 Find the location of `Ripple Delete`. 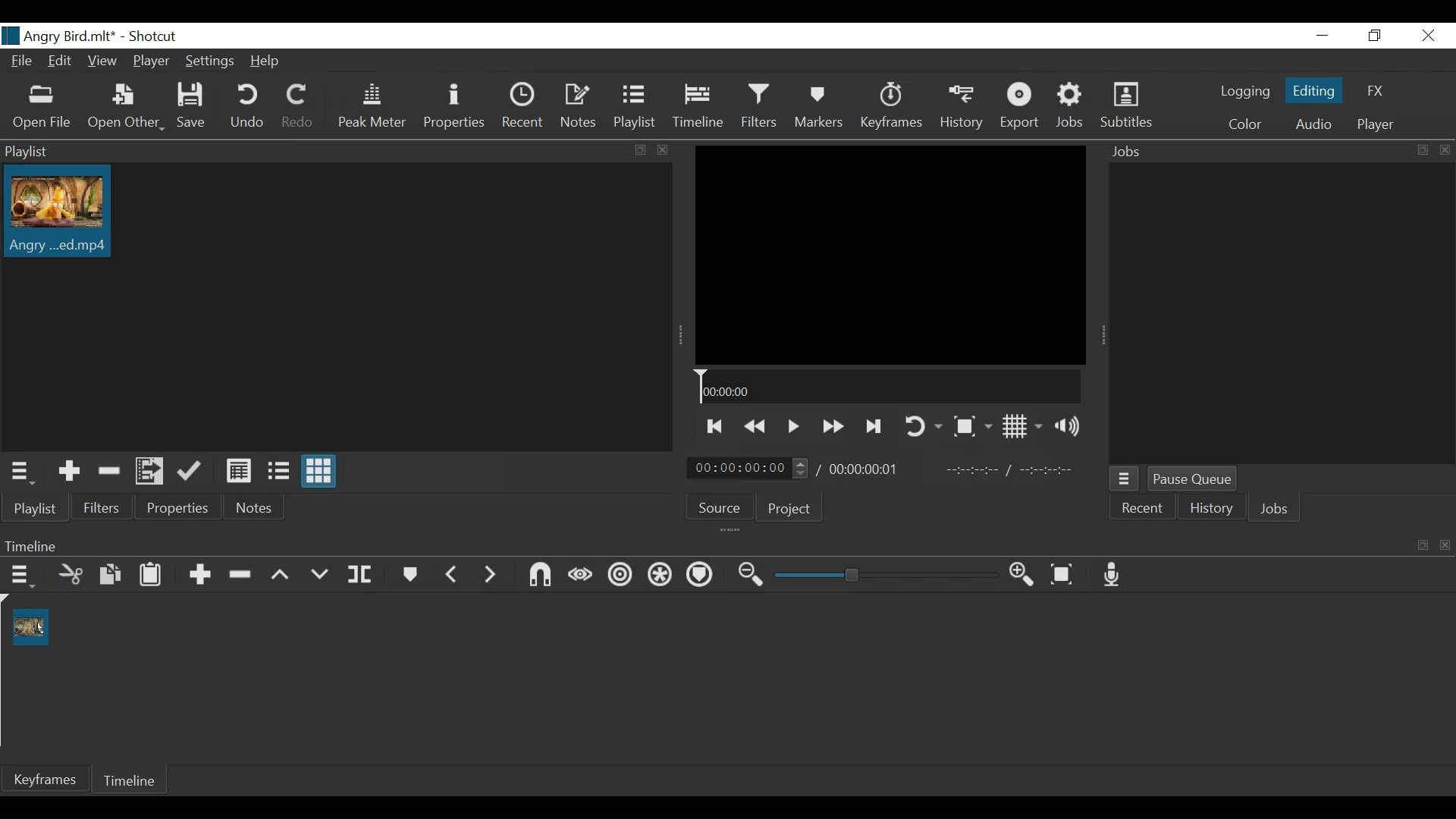

Ripple Delete is located at coordinates (239, 575).